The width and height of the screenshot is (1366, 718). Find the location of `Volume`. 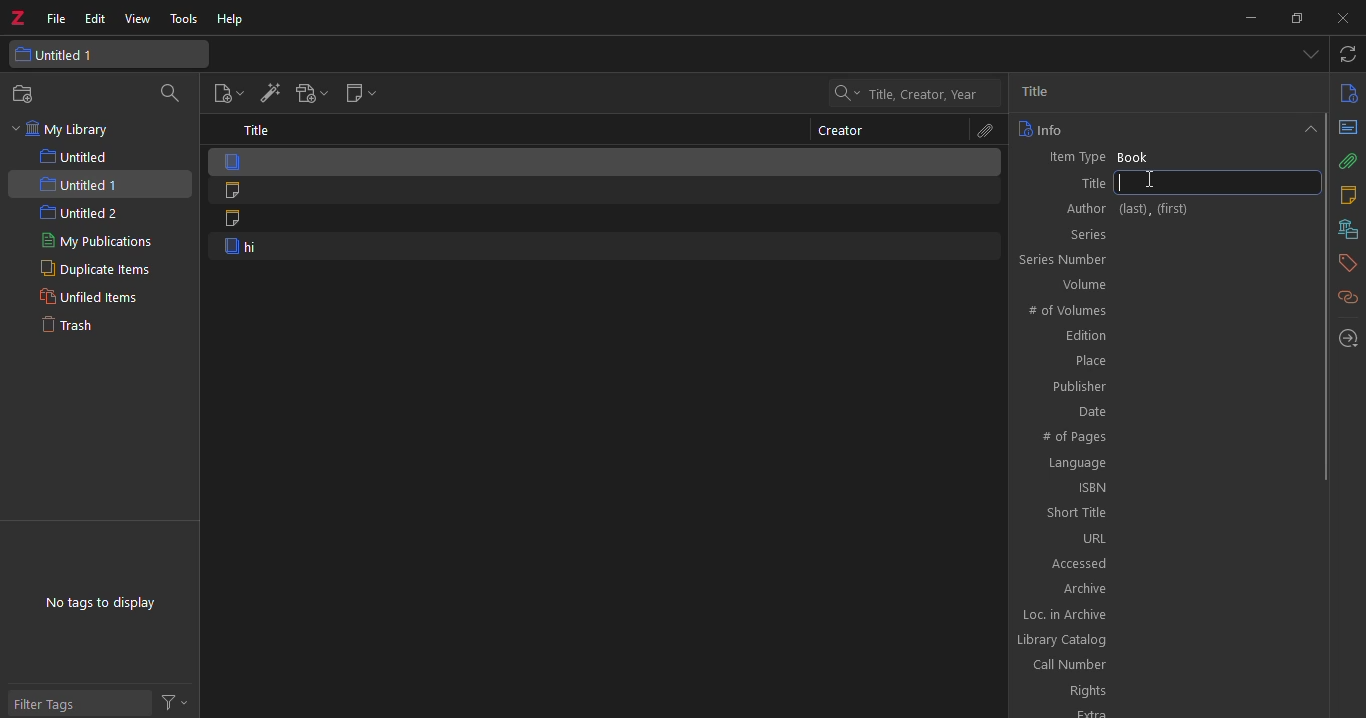

Volume is located at coordinates (1164, 284).